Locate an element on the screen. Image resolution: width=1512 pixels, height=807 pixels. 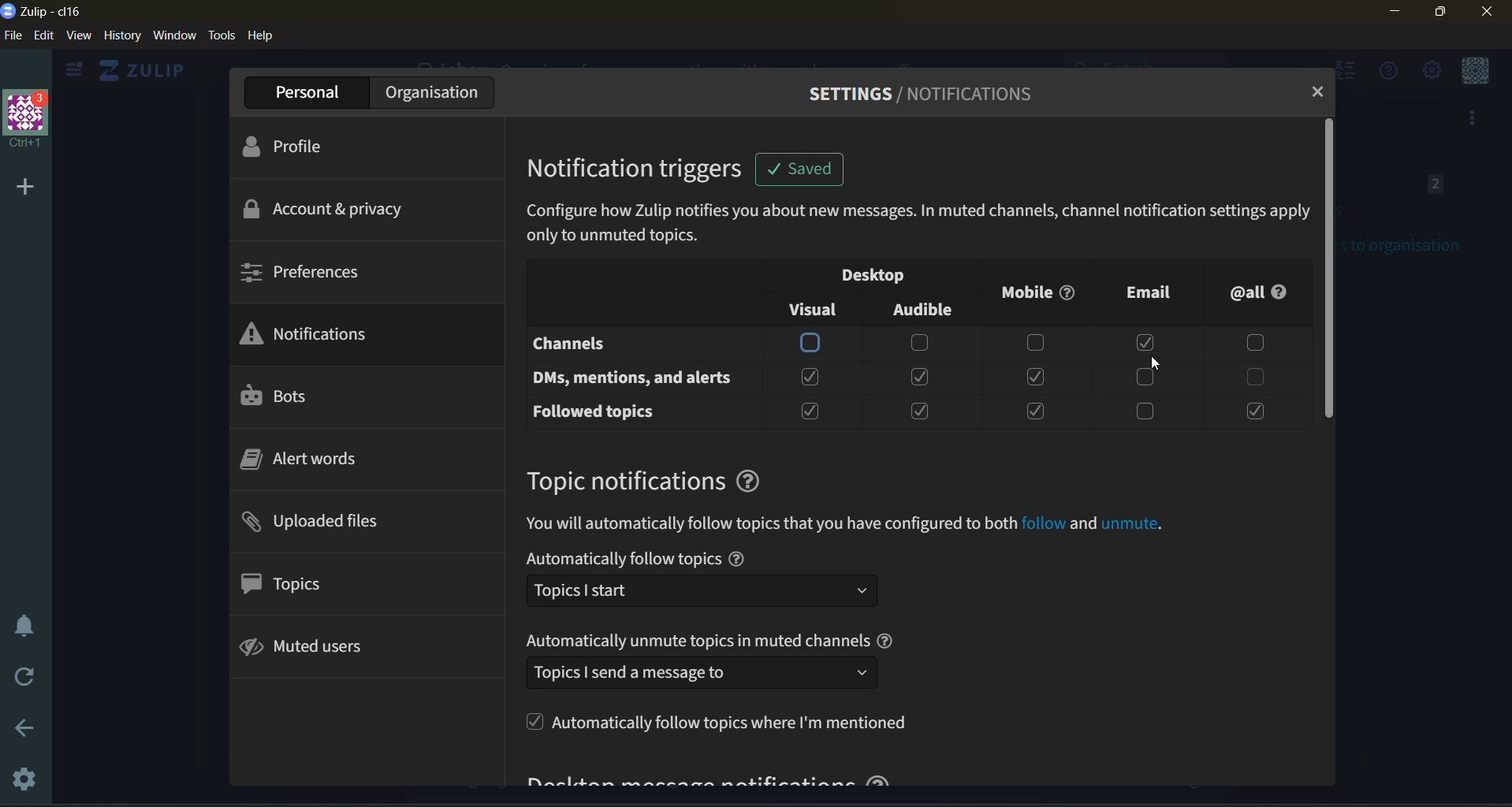
personal is located at coordinates (304, 93).